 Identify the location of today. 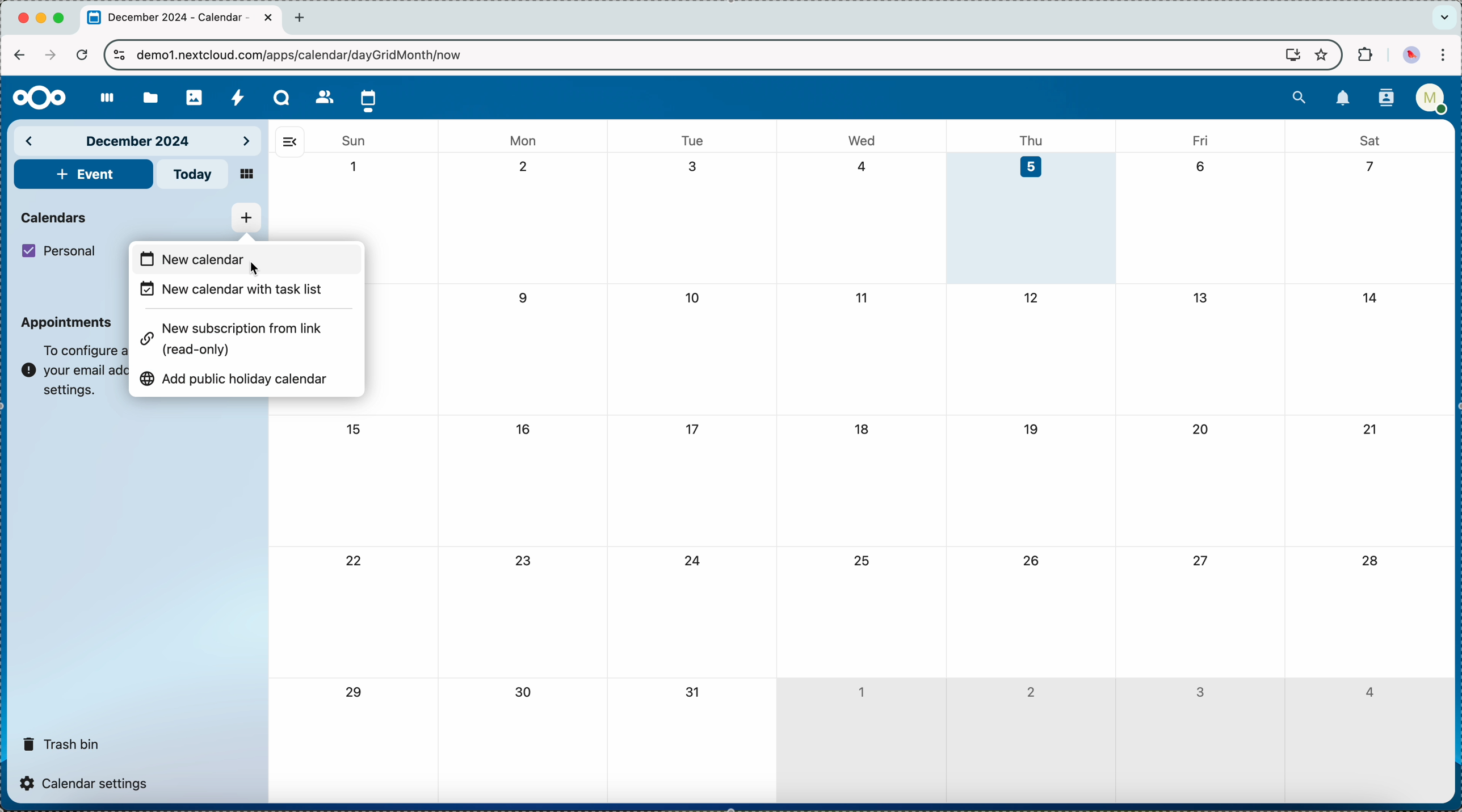
(194, 174).